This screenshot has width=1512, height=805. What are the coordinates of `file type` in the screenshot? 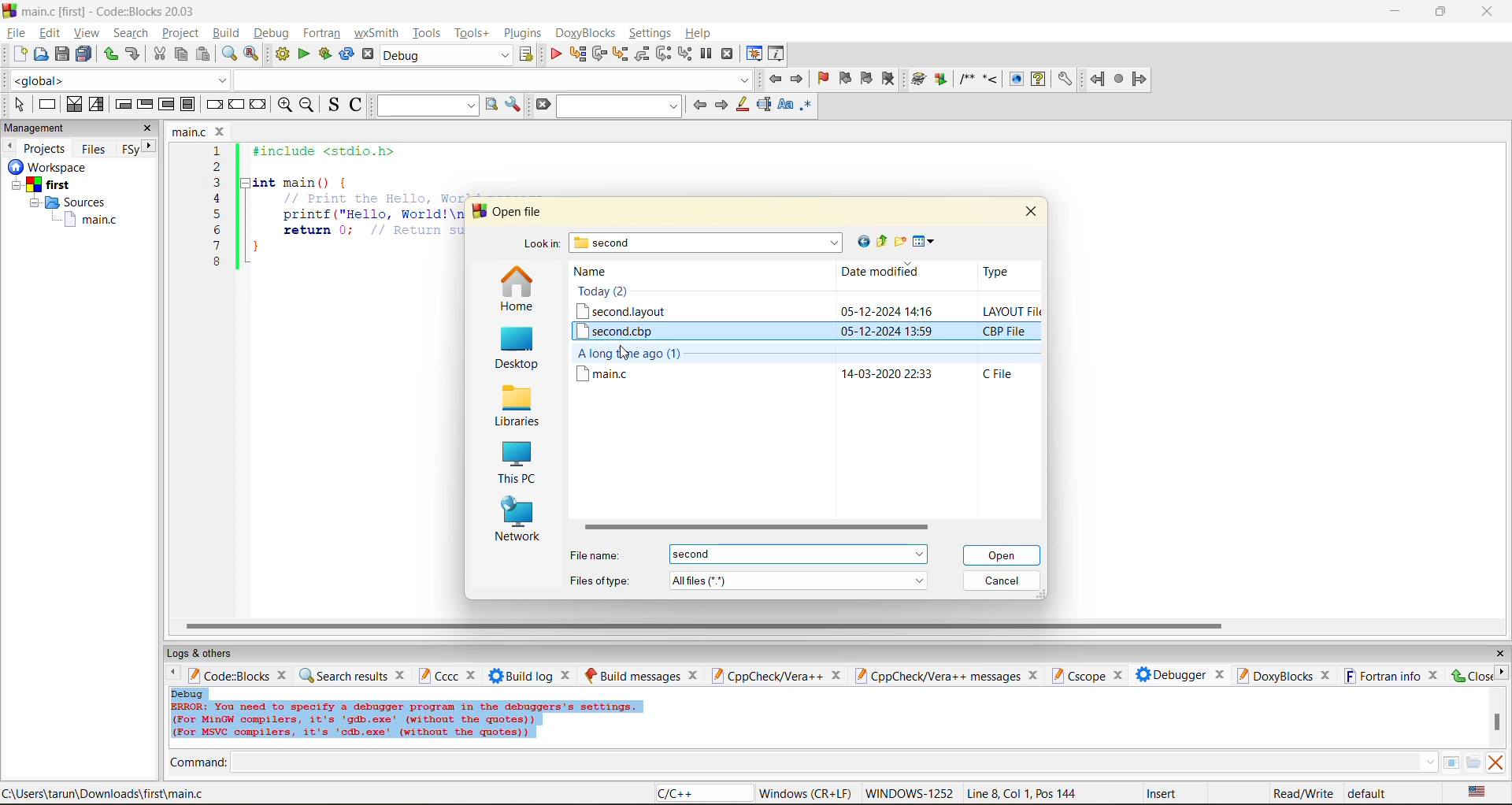 It's located at (600, 579).